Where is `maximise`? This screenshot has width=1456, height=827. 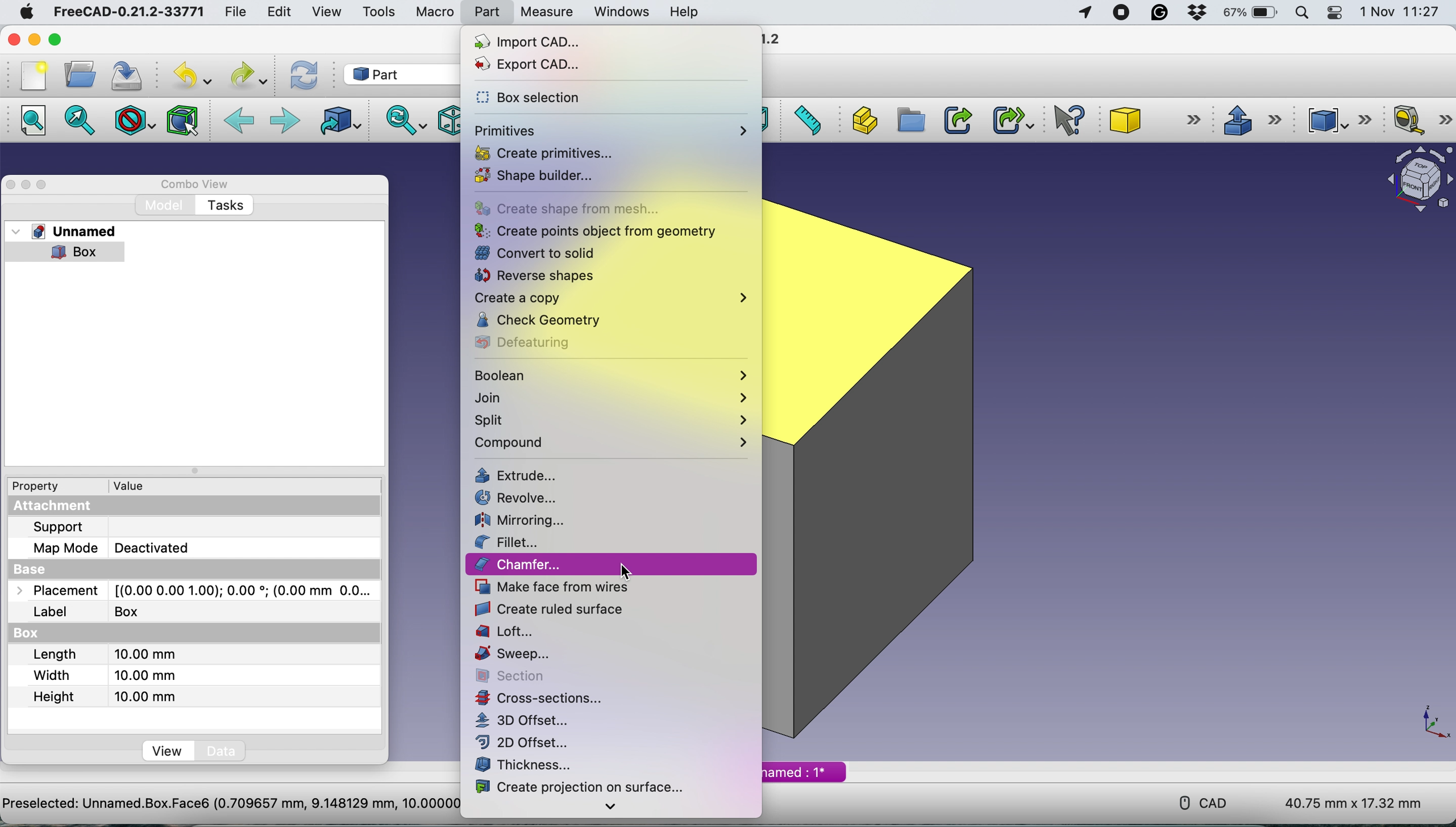
maximise is located at coordinates (52, 41).